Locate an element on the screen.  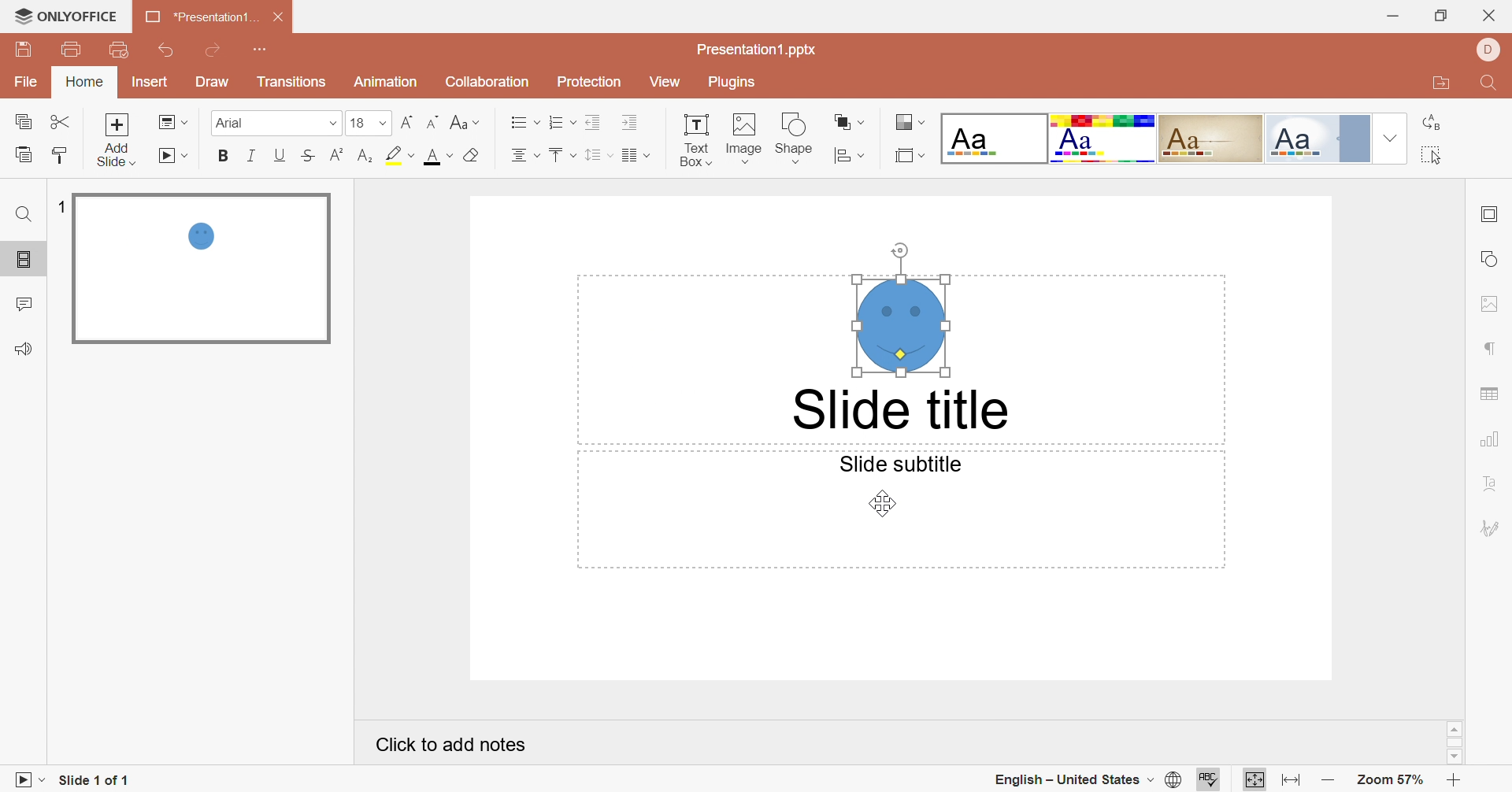
Click to add notes is located at coordinates (453, 745).